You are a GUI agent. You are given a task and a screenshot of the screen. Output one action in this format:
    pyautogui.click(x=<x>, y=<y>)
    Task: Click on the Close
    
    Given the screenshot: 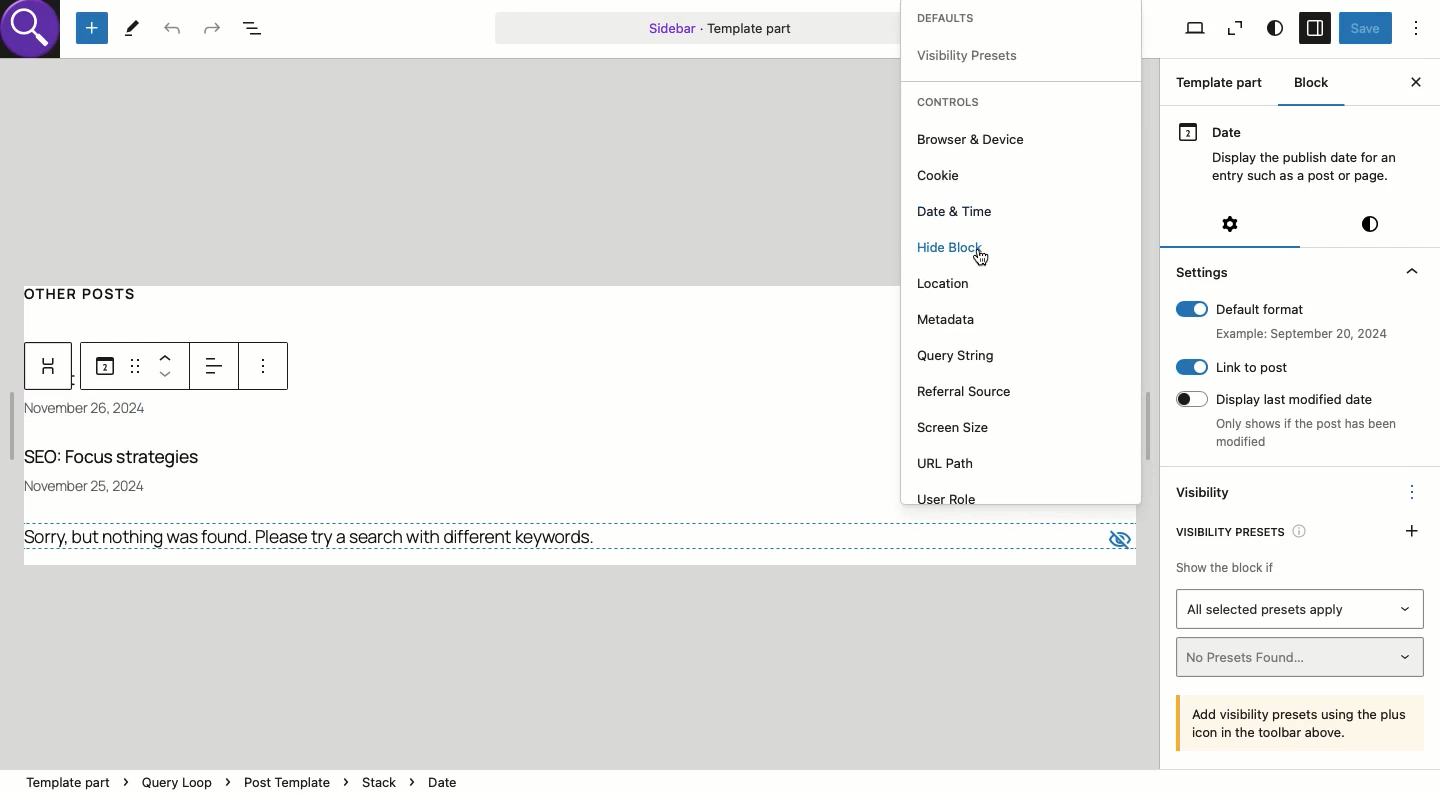 What is the action you would take?
    pyautogui.click(x=1415, y=82)
    